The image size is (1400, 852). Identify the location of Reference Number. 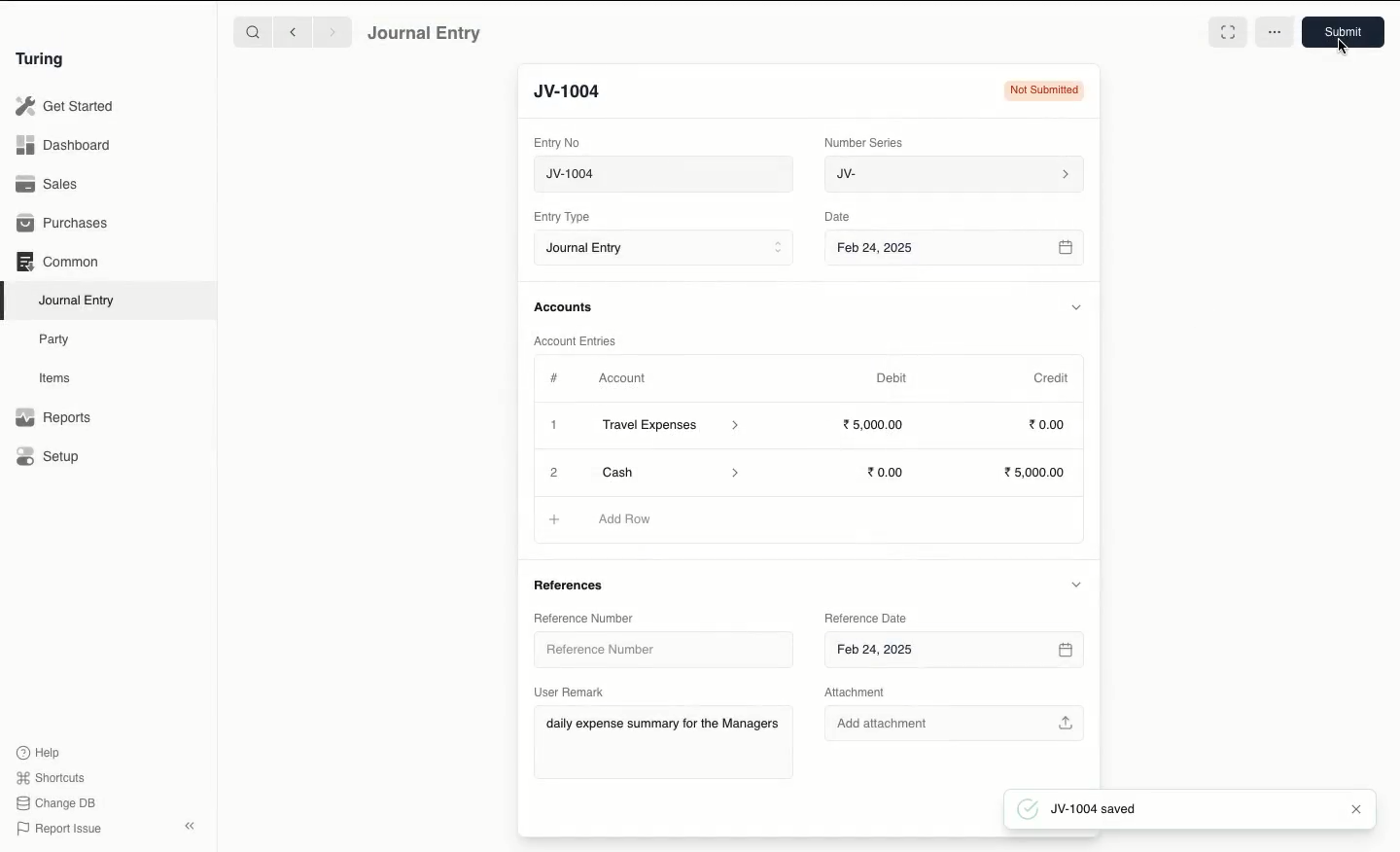
(651, 648).